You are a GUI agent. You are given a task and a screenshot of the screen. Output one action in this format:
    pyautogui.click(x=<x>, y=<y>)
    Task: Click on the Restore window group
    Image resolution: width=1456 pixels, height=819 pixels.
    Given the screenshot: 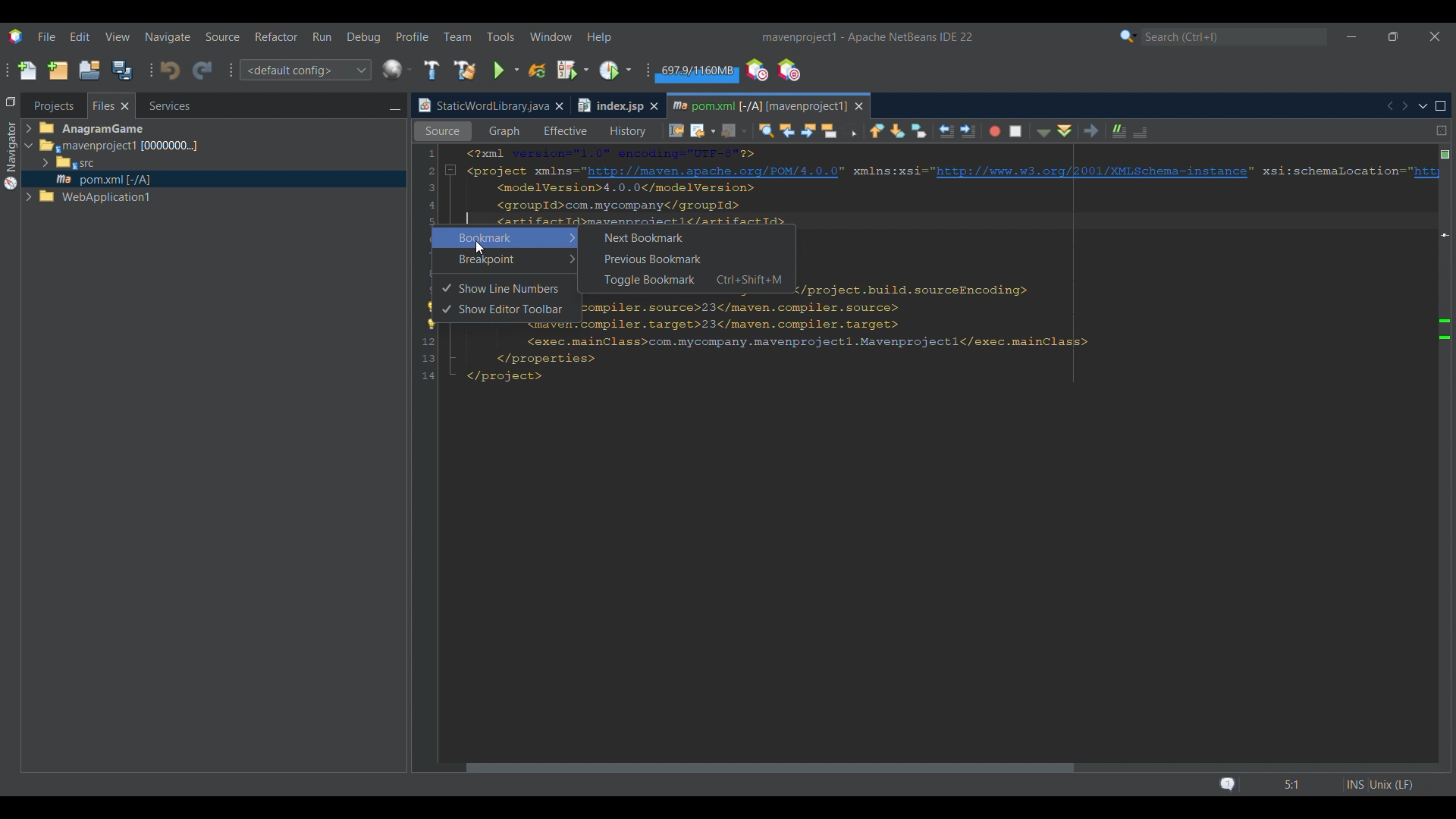 What is the action you would take?
    pyautogui.click(x=11, y=101)
    